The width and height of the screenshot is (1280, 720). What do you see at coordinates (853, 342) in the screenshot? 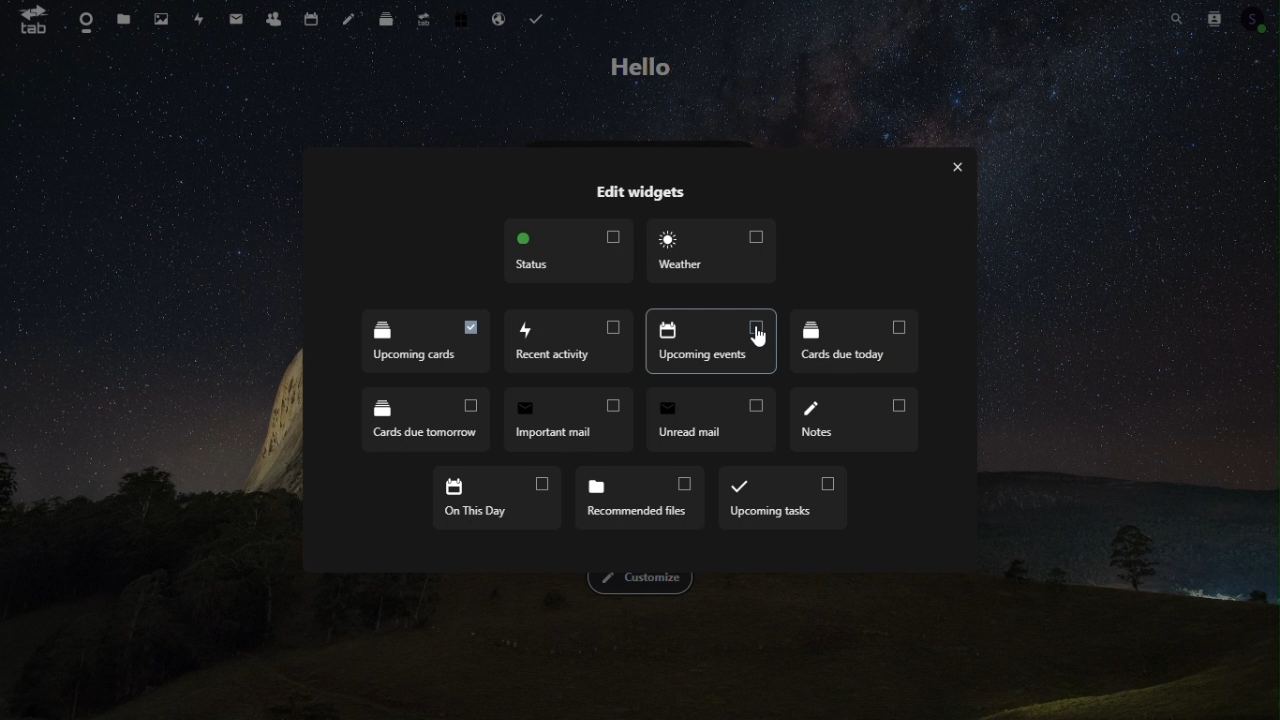
I see `Cards due today` at bounding box center [853, 342].